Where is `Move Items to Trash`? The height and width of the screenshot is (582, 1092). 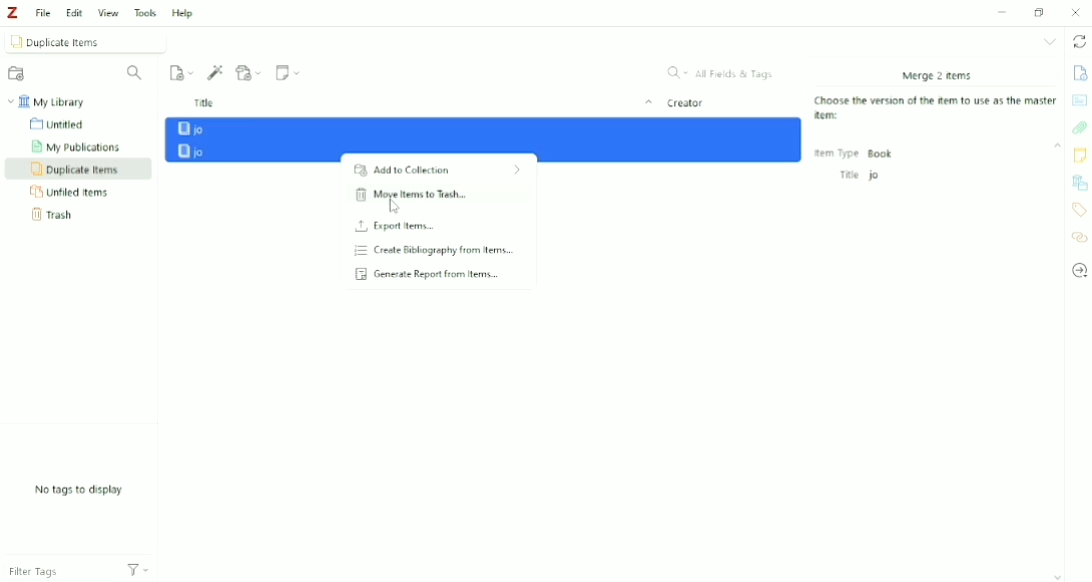 Move Items to Trash is located at coordinates (437, 199).